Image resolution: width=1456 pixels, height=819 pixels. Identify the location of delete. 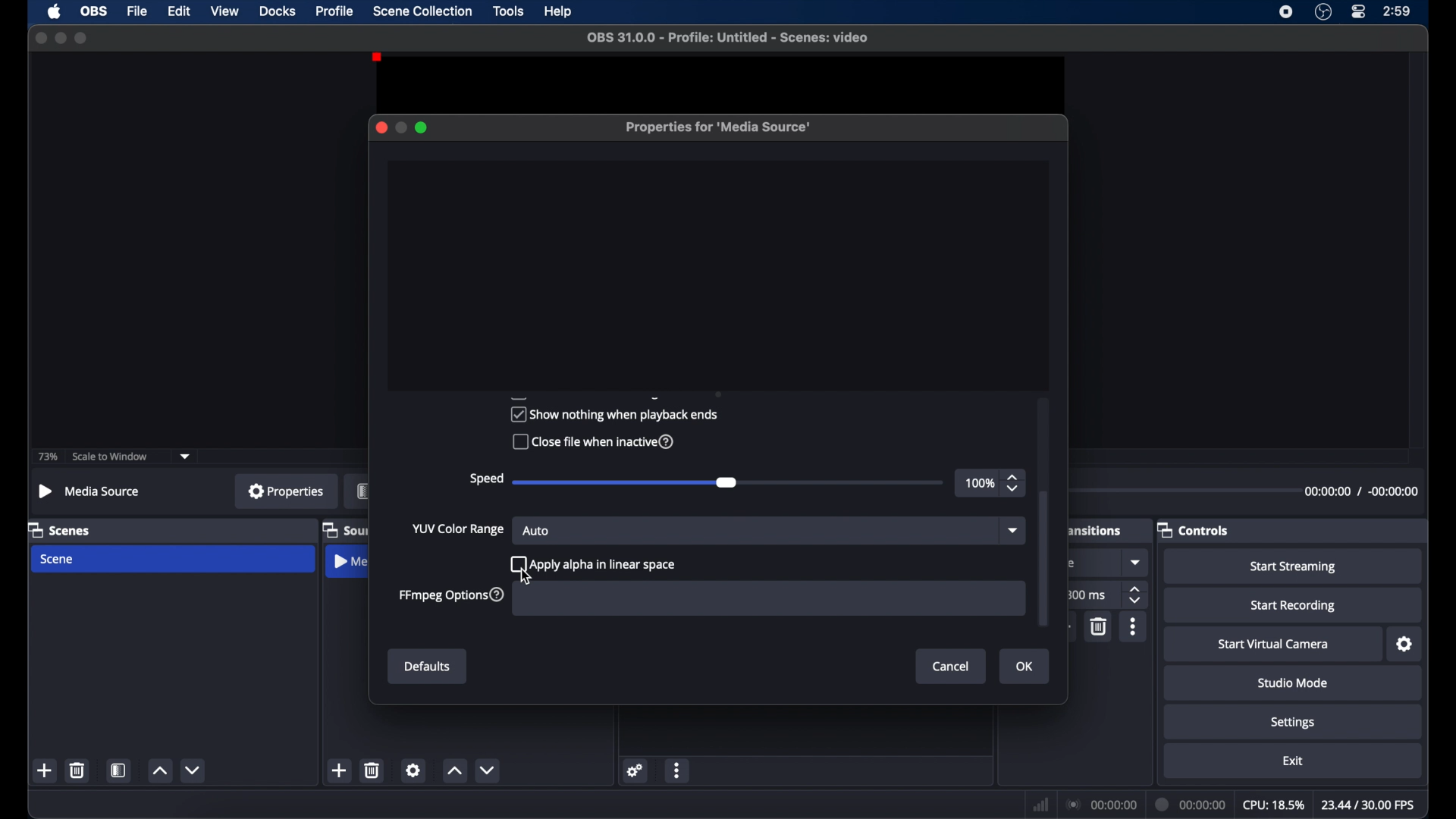
(372, 770).